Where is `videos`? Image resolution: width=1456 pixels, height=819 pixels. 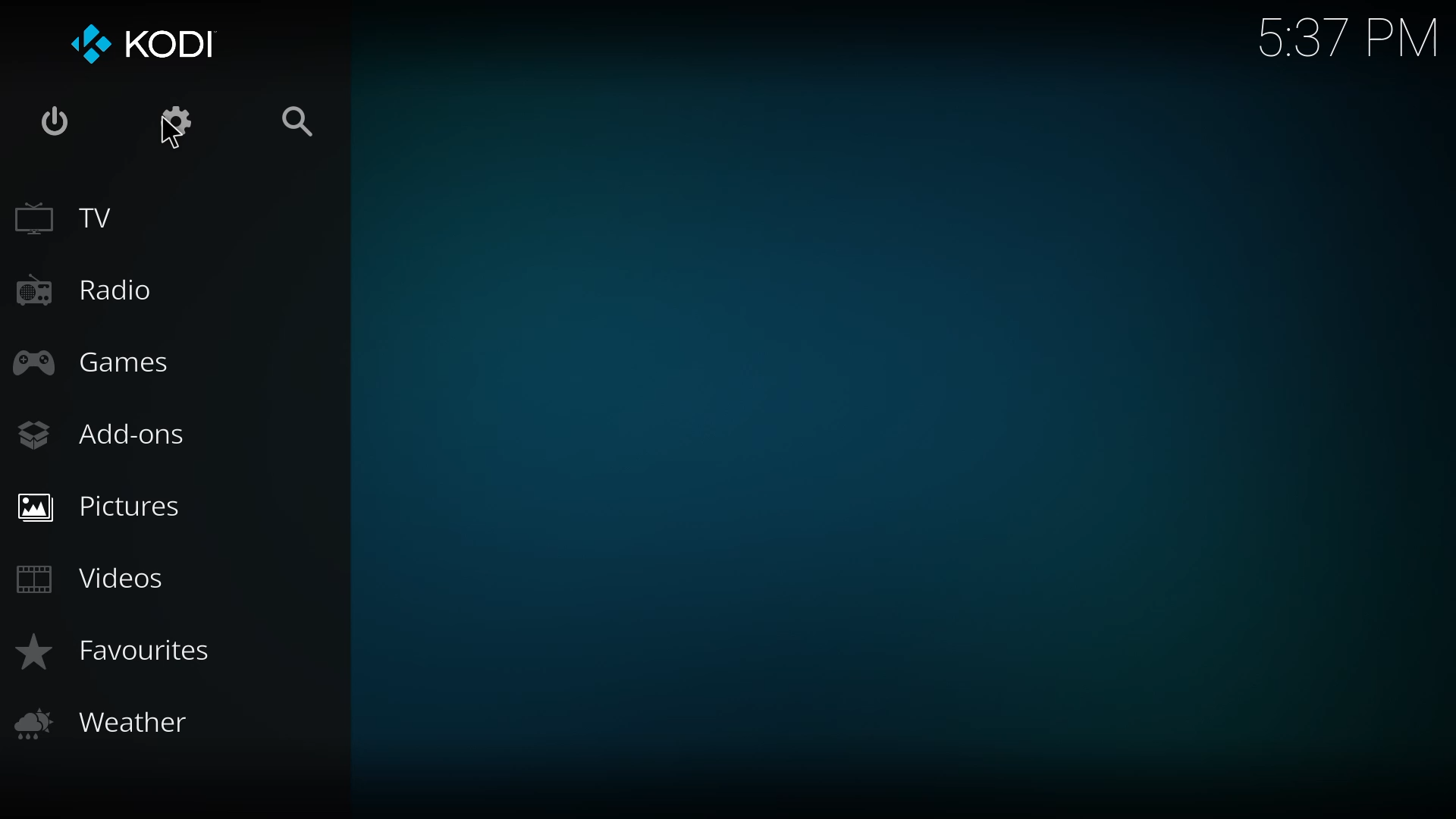
videos is located at coordinates (96, 579).